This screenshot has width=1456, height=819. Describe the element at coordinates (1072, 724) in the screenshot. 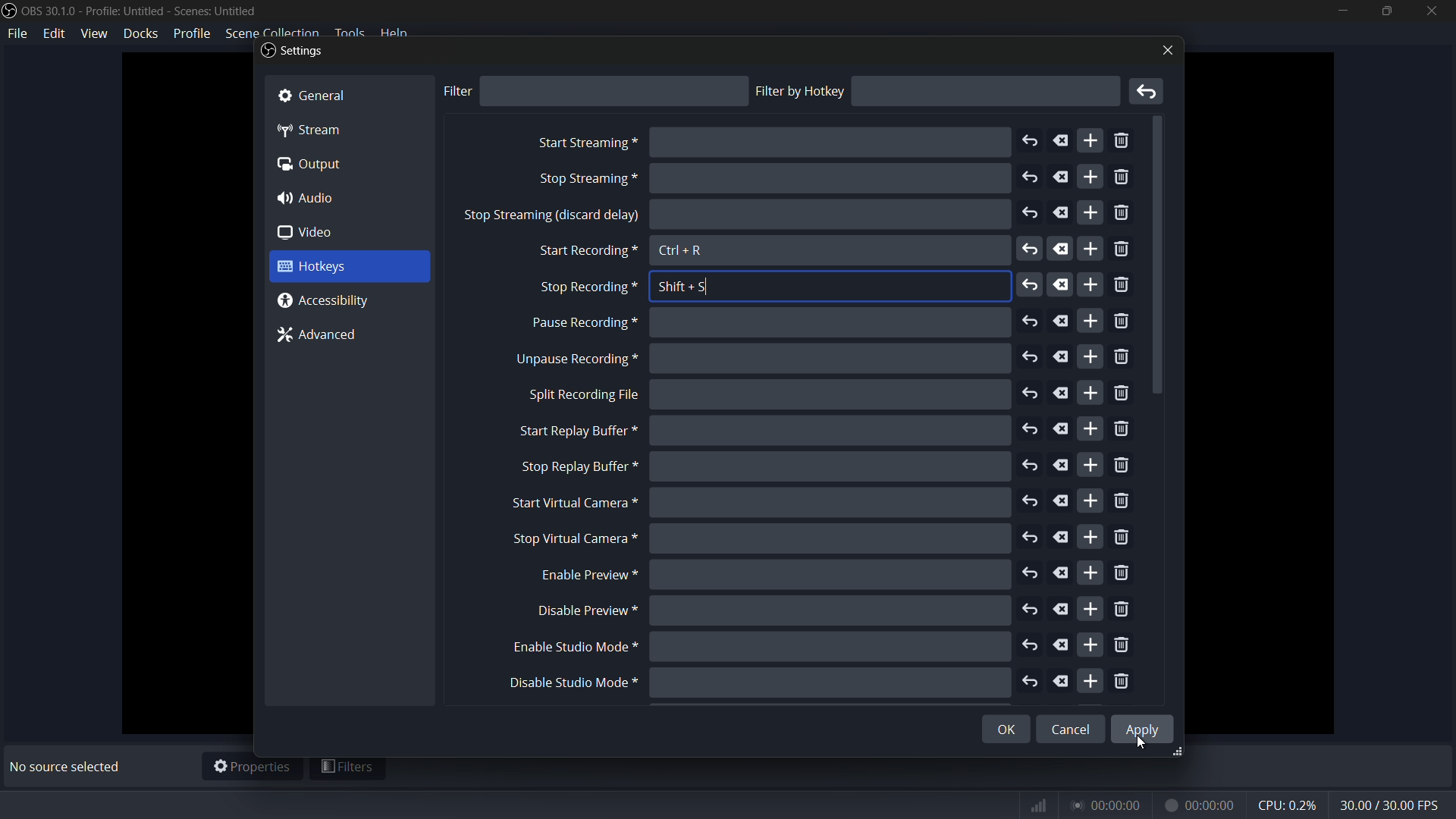

I see `Cancel` at that location.